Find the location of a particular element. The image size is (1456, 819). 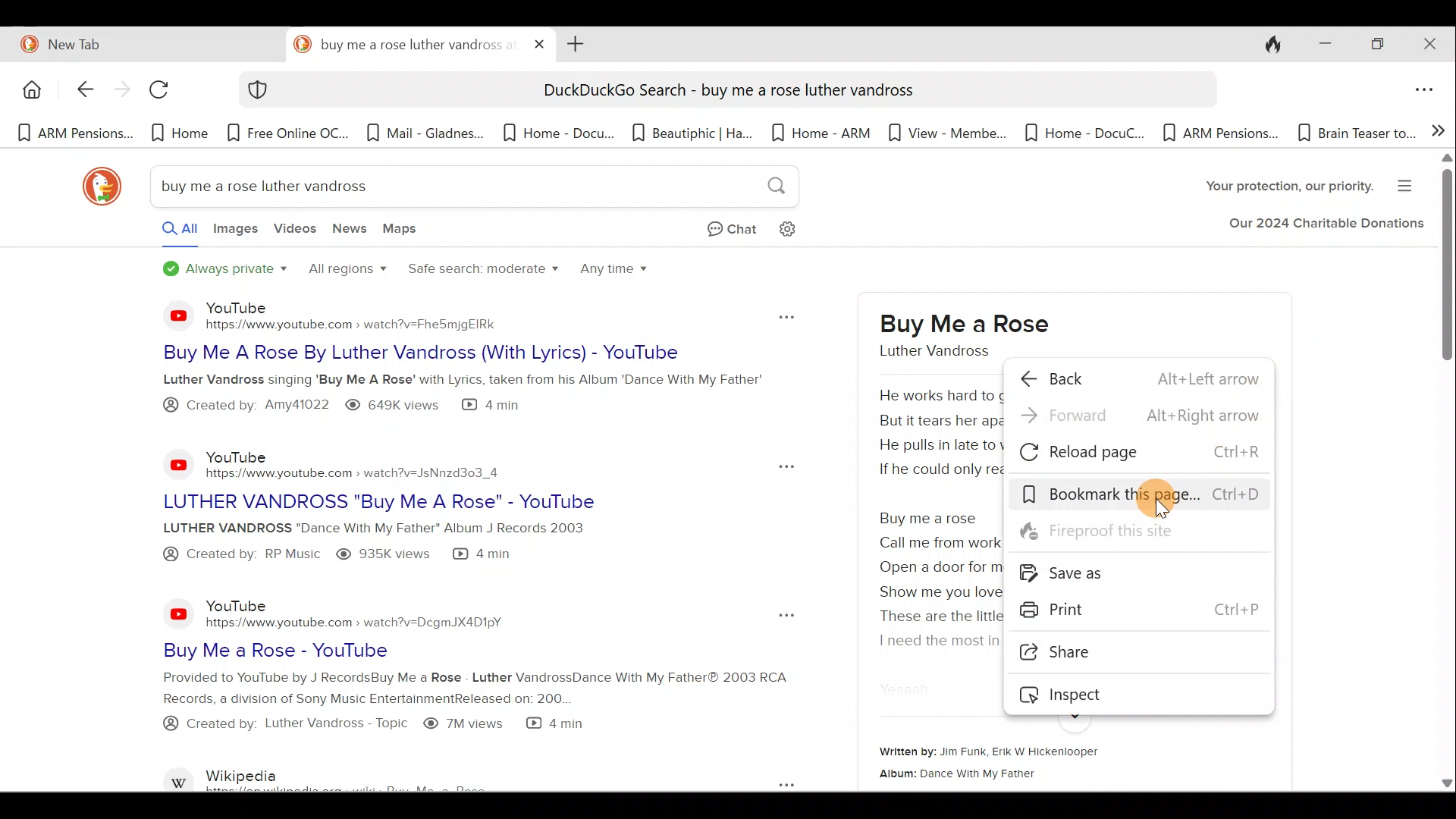

Forward is located at coordinates (120, 92).